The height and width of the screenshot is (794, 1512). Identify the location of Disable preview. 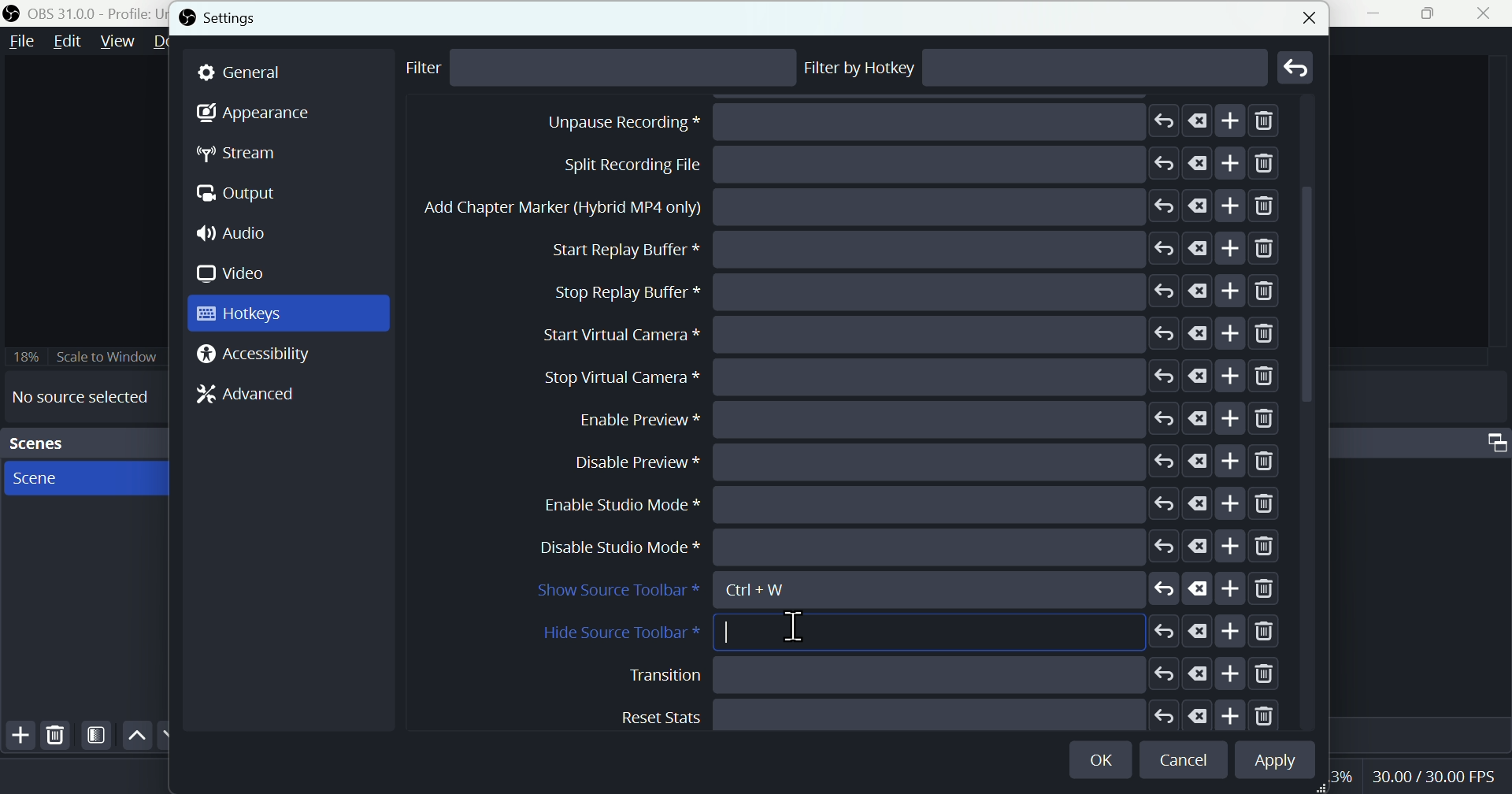
(926, 673).